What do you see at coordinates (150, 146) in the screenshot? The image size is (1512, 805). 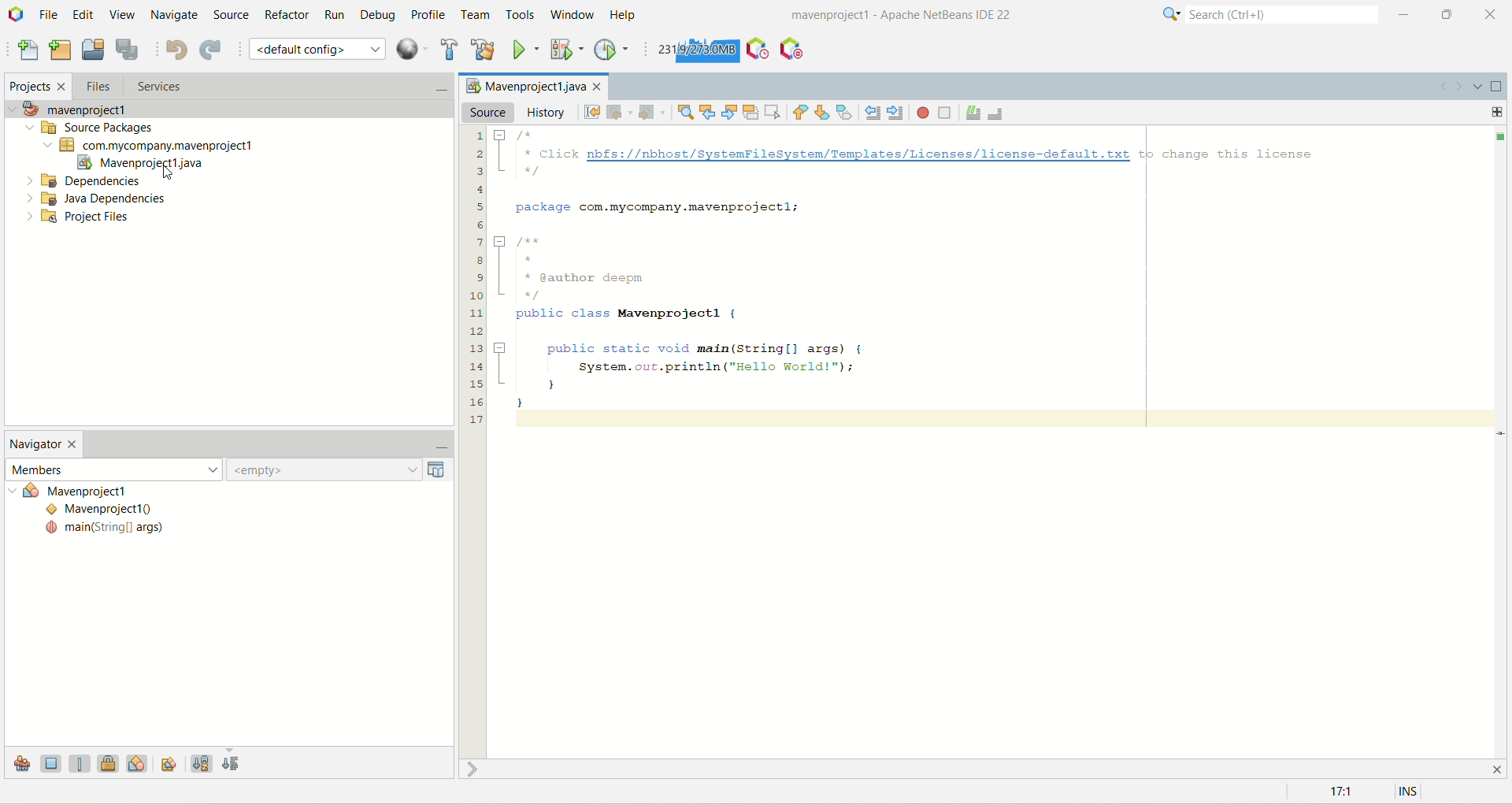 I see `com.mycompany.mavenproject1` at bounding box center [150, 146].